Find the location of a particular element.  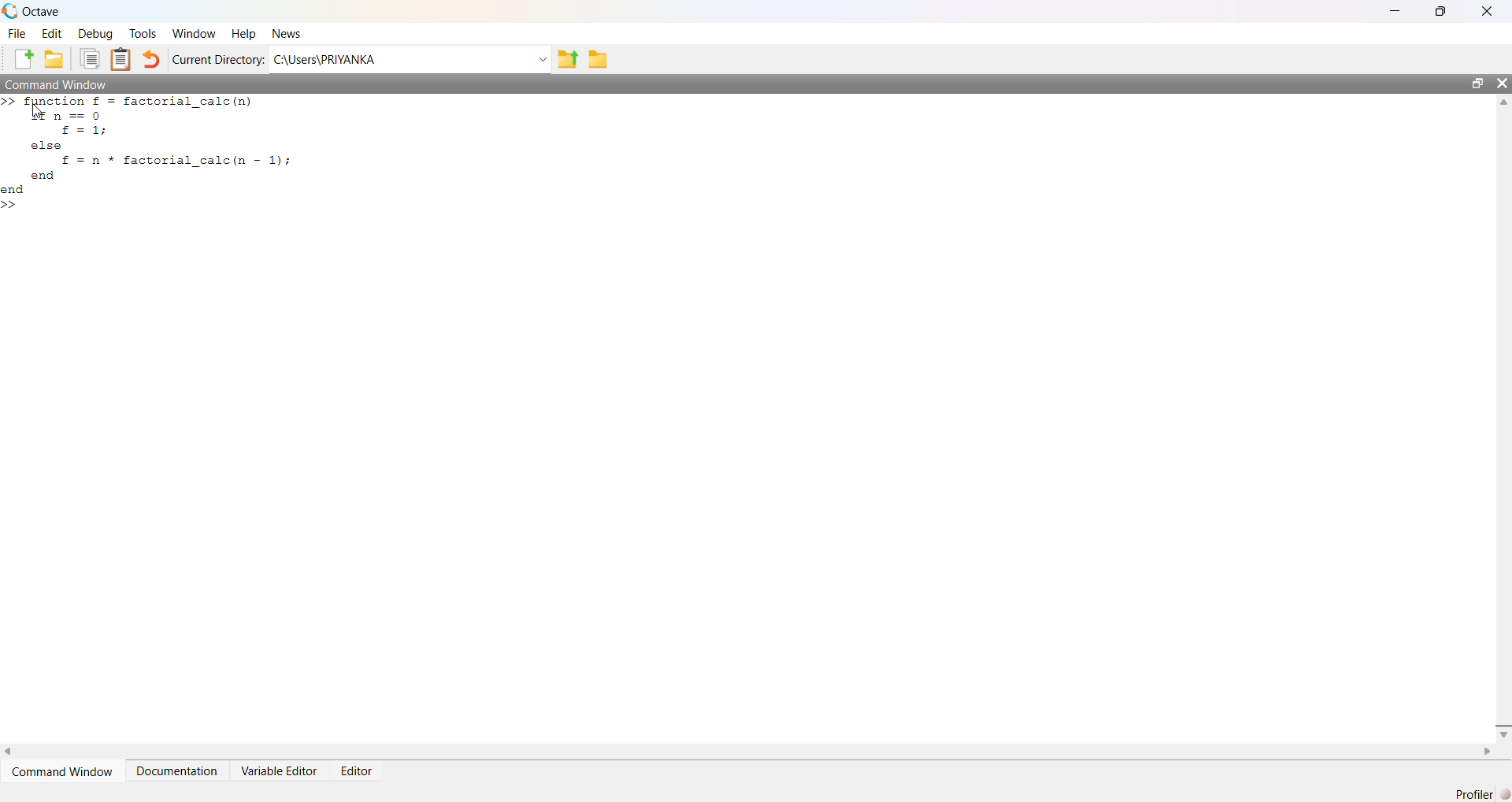

scroll down is located at coordinates (1502, 733).